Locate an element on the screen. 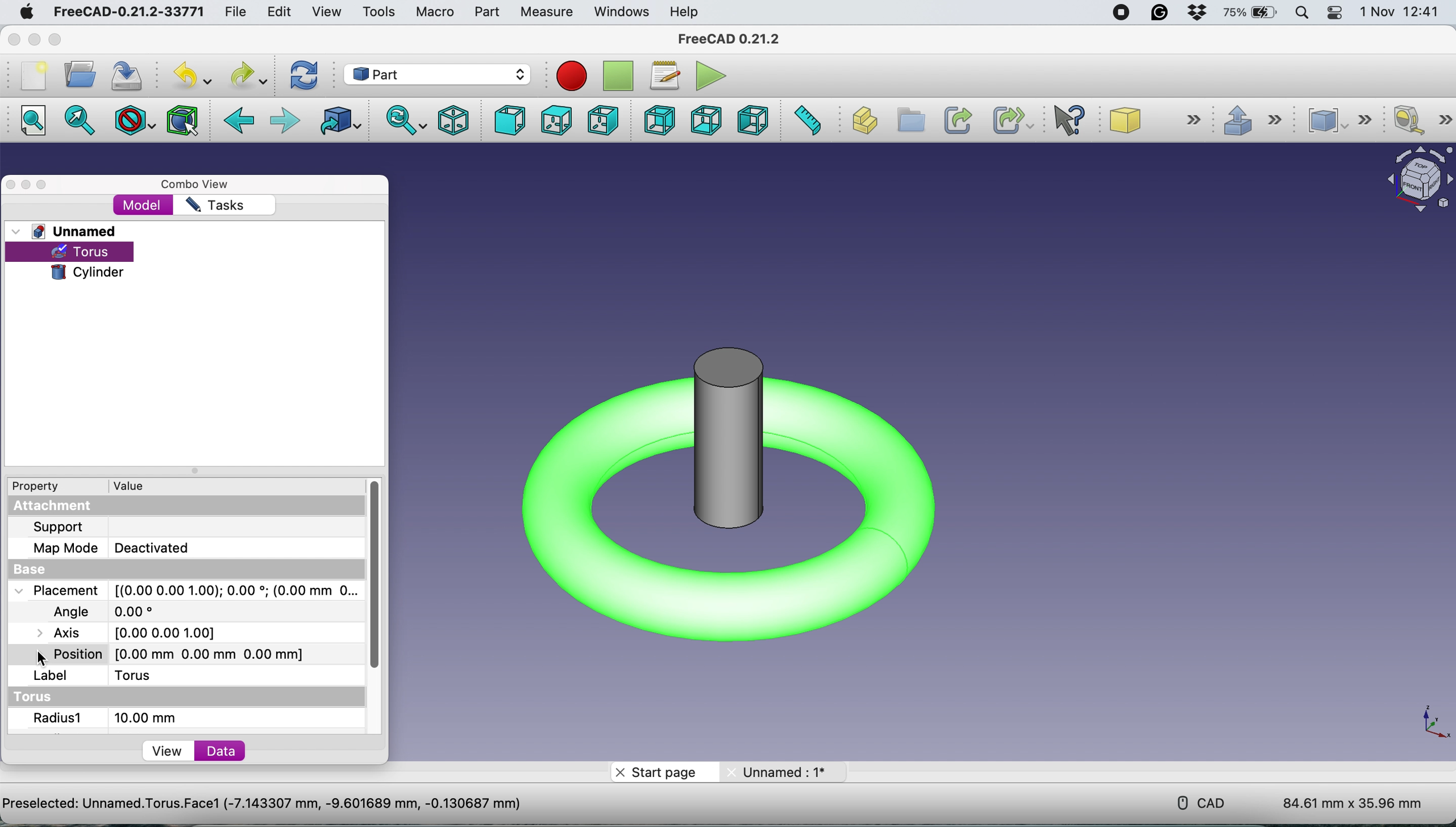 The height and width of the screenshot is (827, 1456). unnamed is located at coordinates (66, 231).